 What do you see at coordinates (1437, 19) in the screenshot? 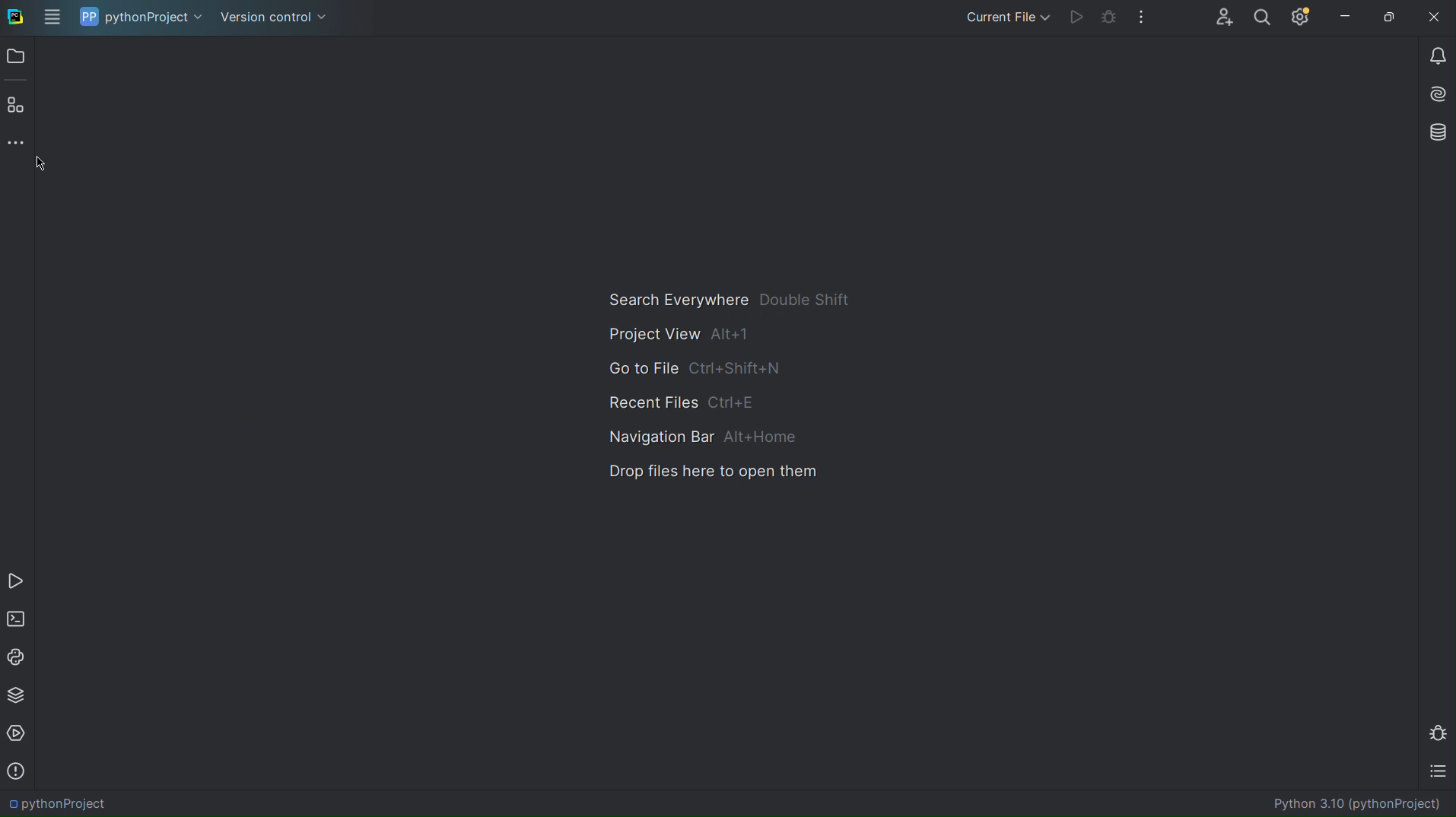
I see `Close` at bounding box center [1437, 19].